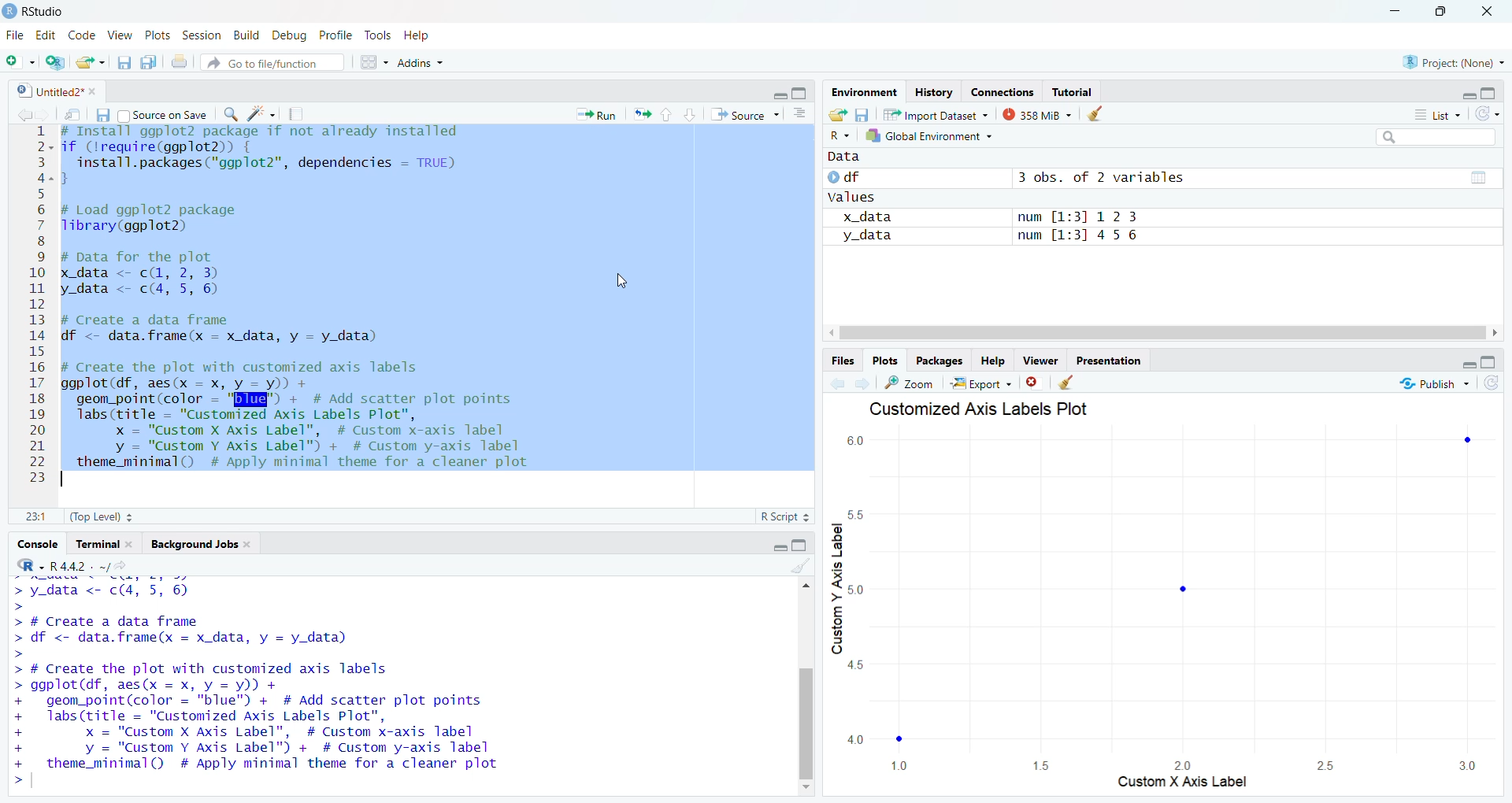  I want to click on Addins ~, so click(424, 64).